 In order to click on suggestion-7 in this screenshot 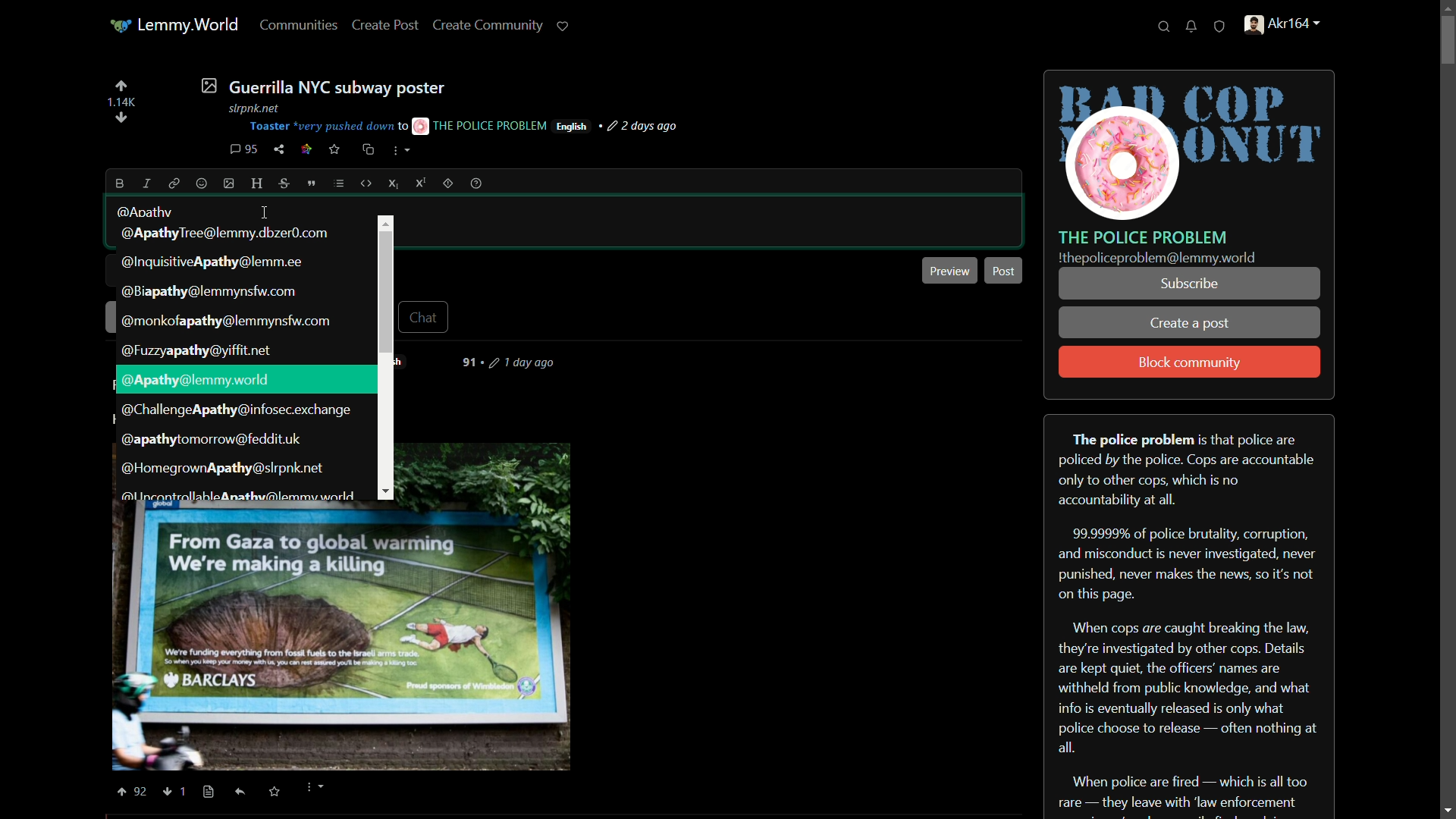, I will do `click(237, 411)`.